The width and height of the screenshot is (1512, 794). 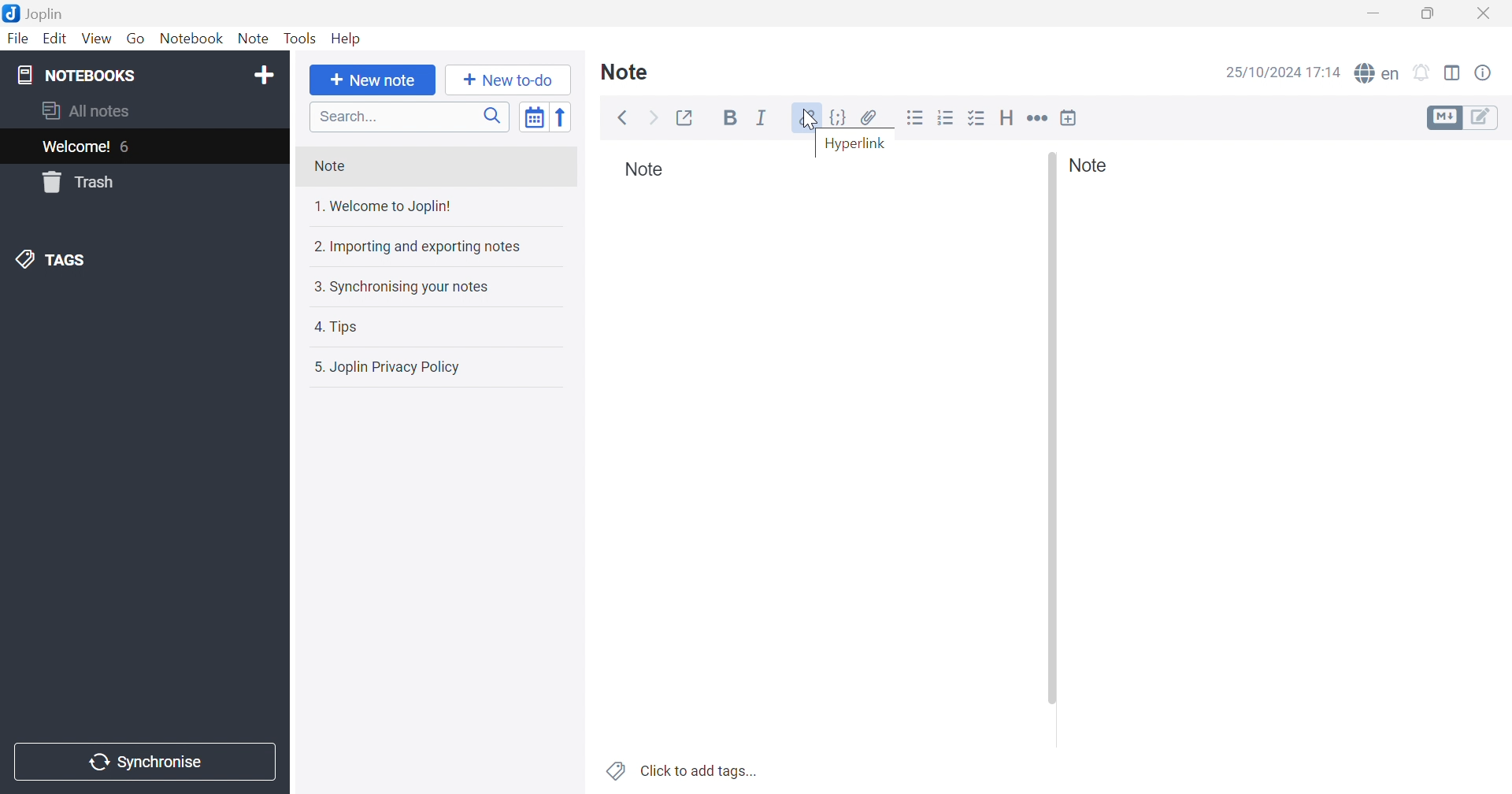 What do you see at coordinates (345, 40) in the screenshot?
I see `Help` at bounding box center [345, 40].